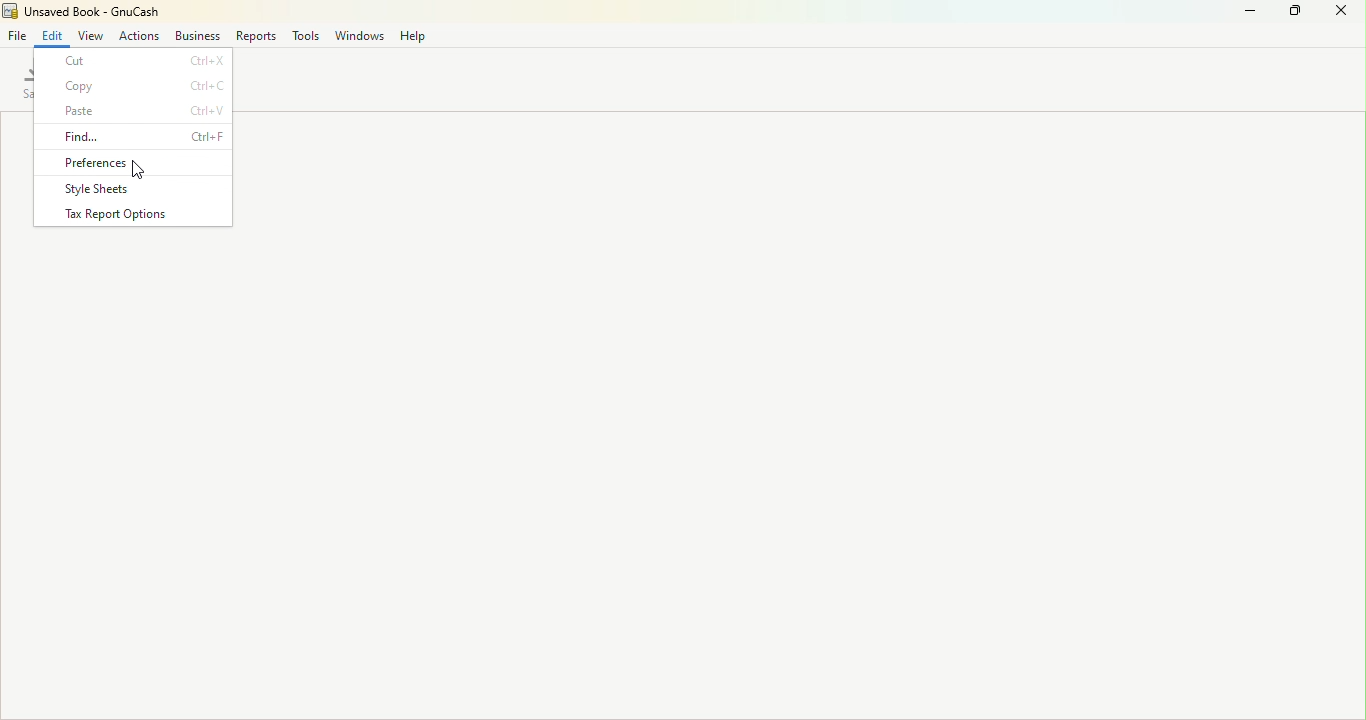 The image size is (1366, 720). I want to click on Help, so click(415, 35).